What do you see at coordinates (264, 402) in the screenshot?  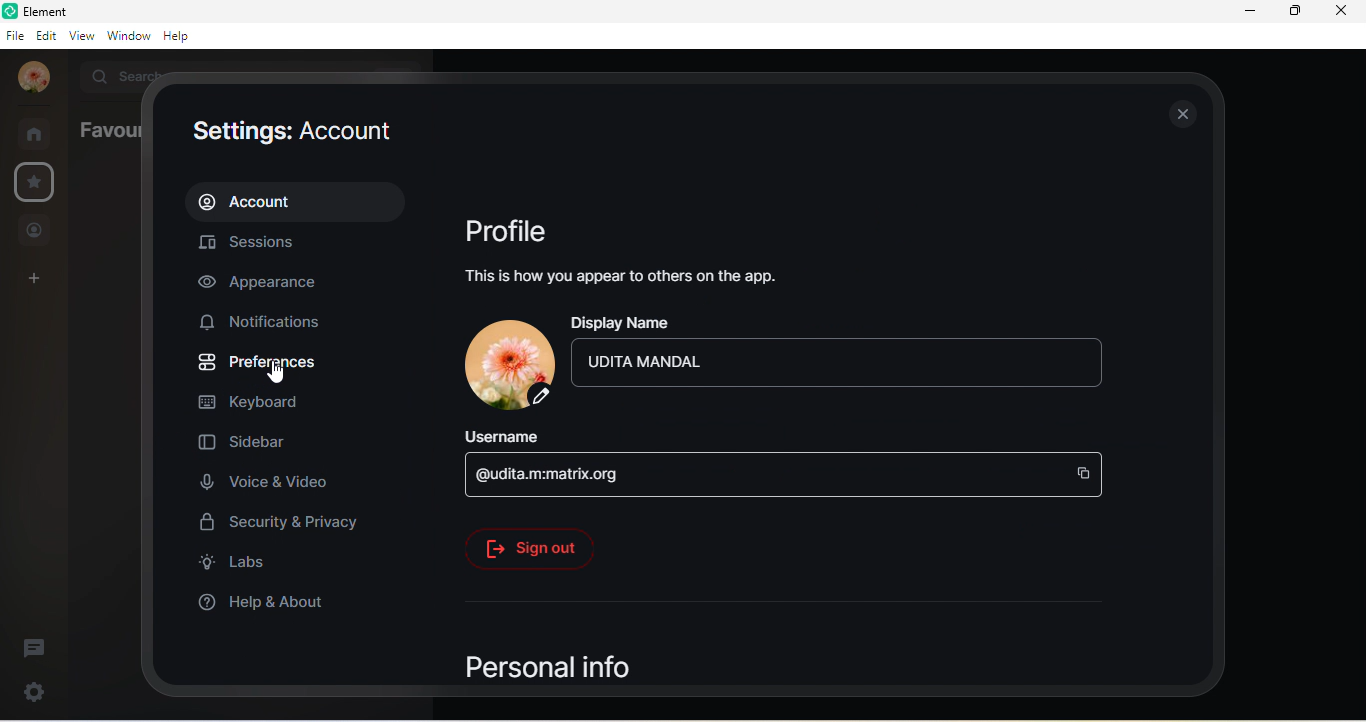 I see `keyboard` at bounding box center [264, 402].